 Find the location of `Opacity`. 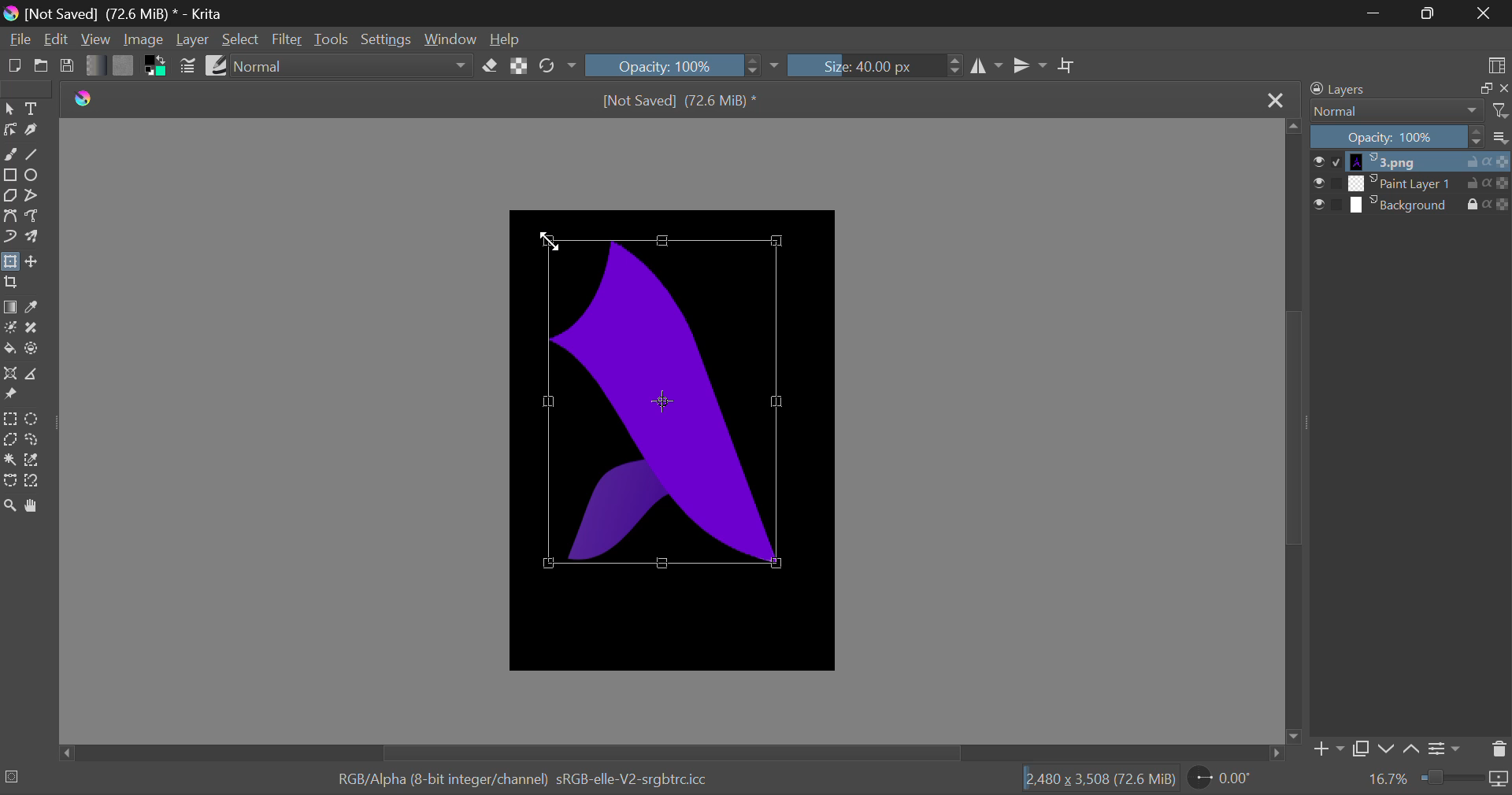

Opacity is located at coordinates (1395, 138).